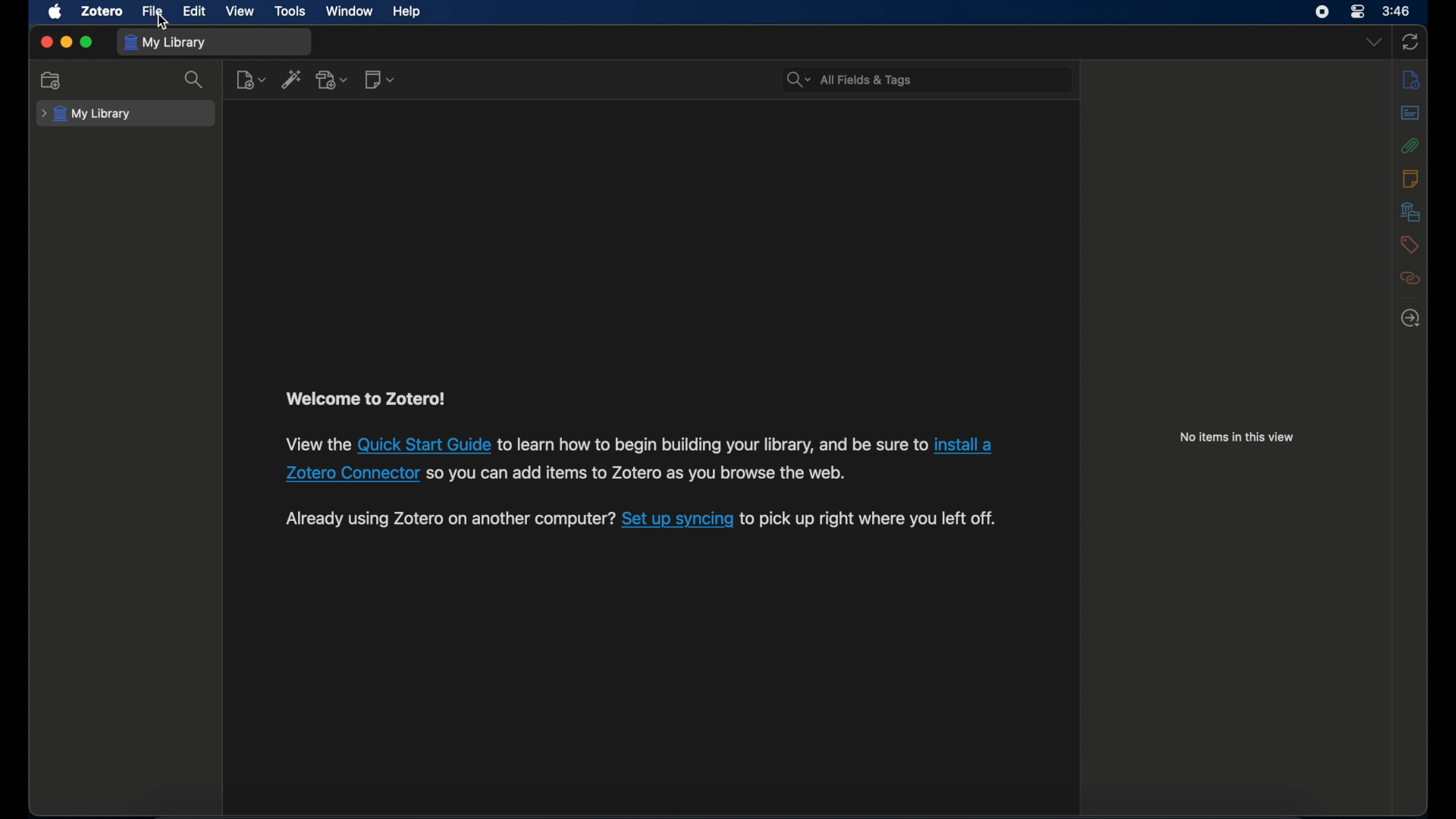  Describe the element at coordinates (240, 11) in the screenshot. I see `view` at that location.